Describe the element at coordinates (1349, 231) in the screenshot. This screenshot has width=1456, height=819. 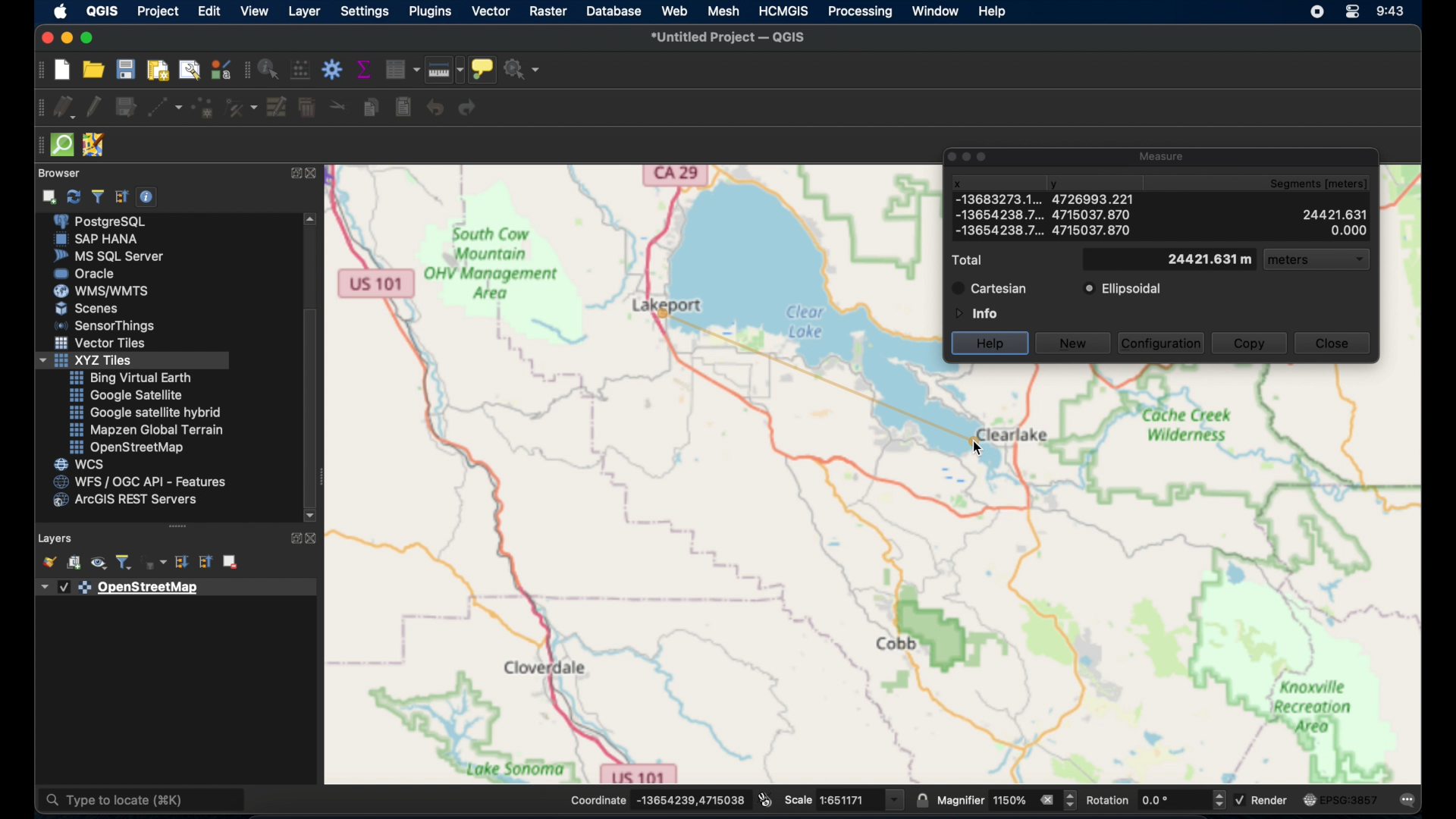
I see `0.000` at that location.